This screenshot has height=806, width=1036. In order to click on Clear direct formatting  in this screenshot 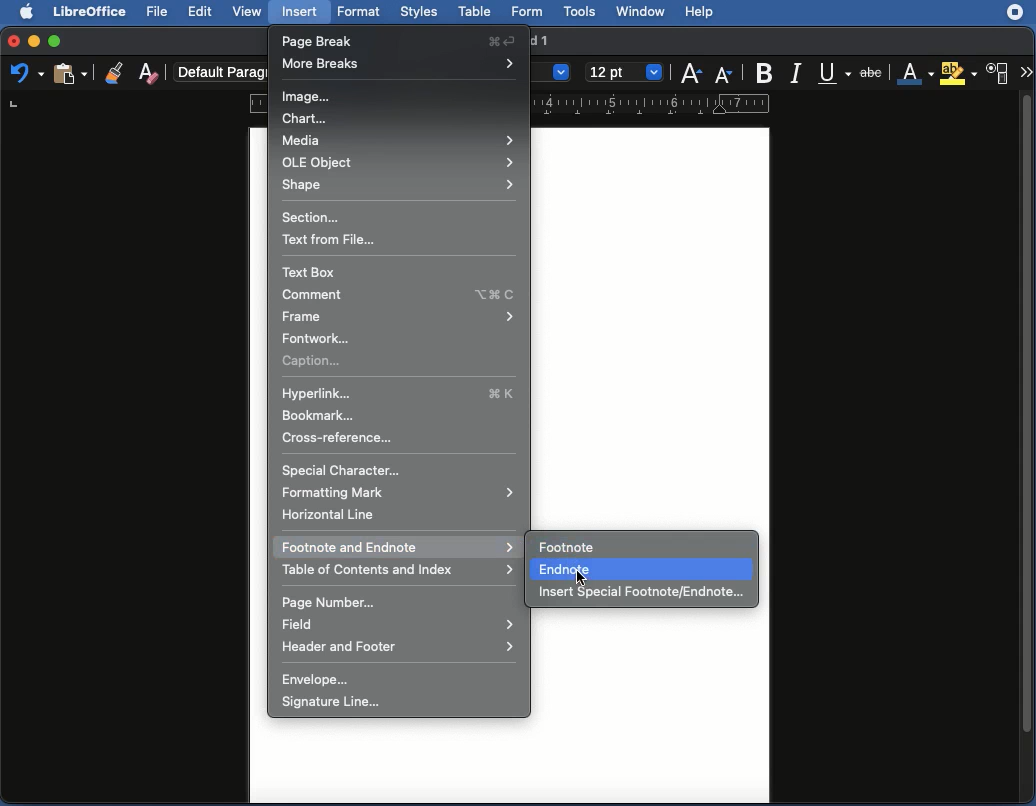, I will do `click(150, 75)`.